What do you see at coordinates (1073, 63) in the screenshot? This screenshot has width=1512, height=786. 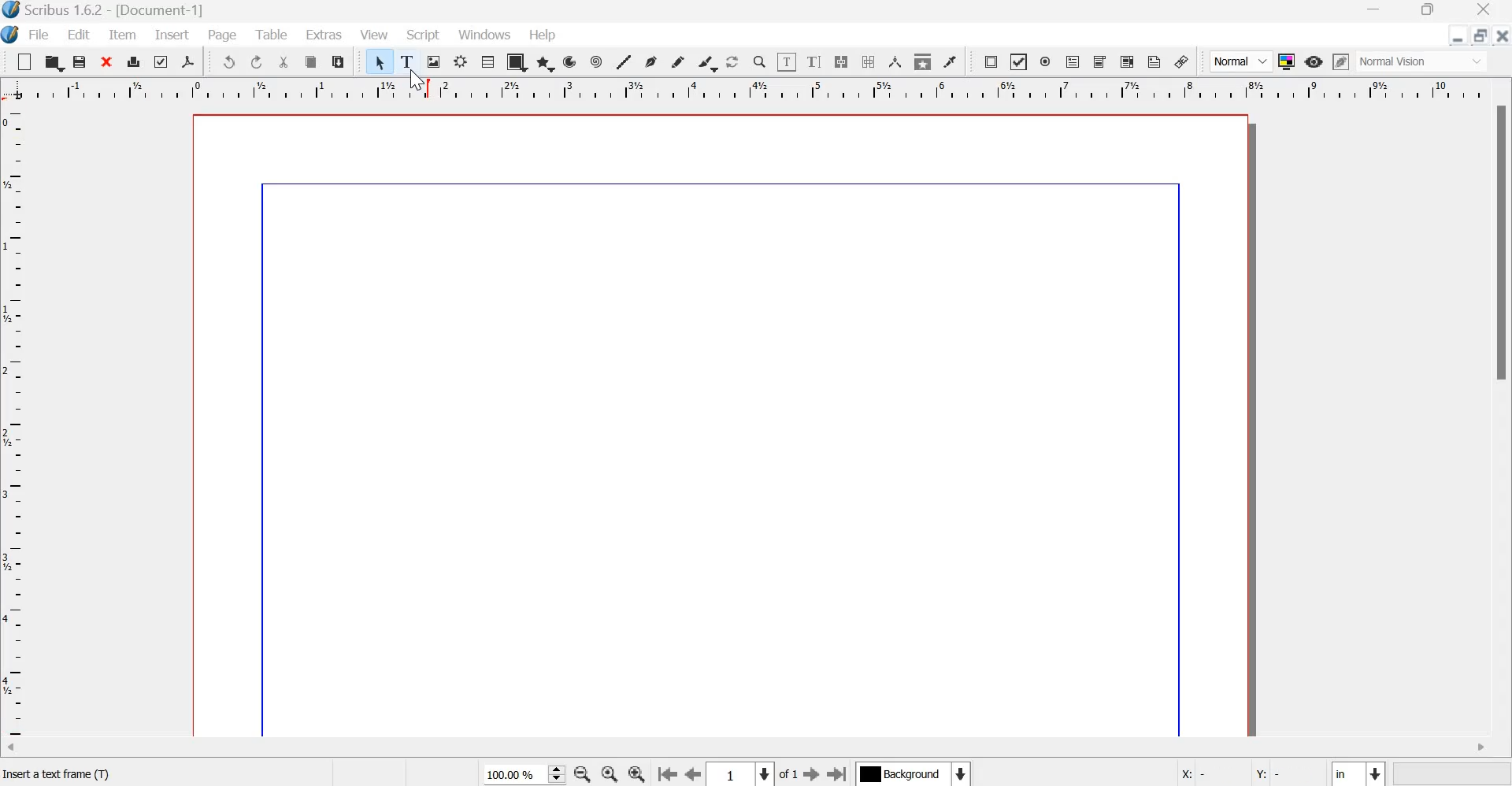 I see `PDF text field` at bounding box center [1073, 63].